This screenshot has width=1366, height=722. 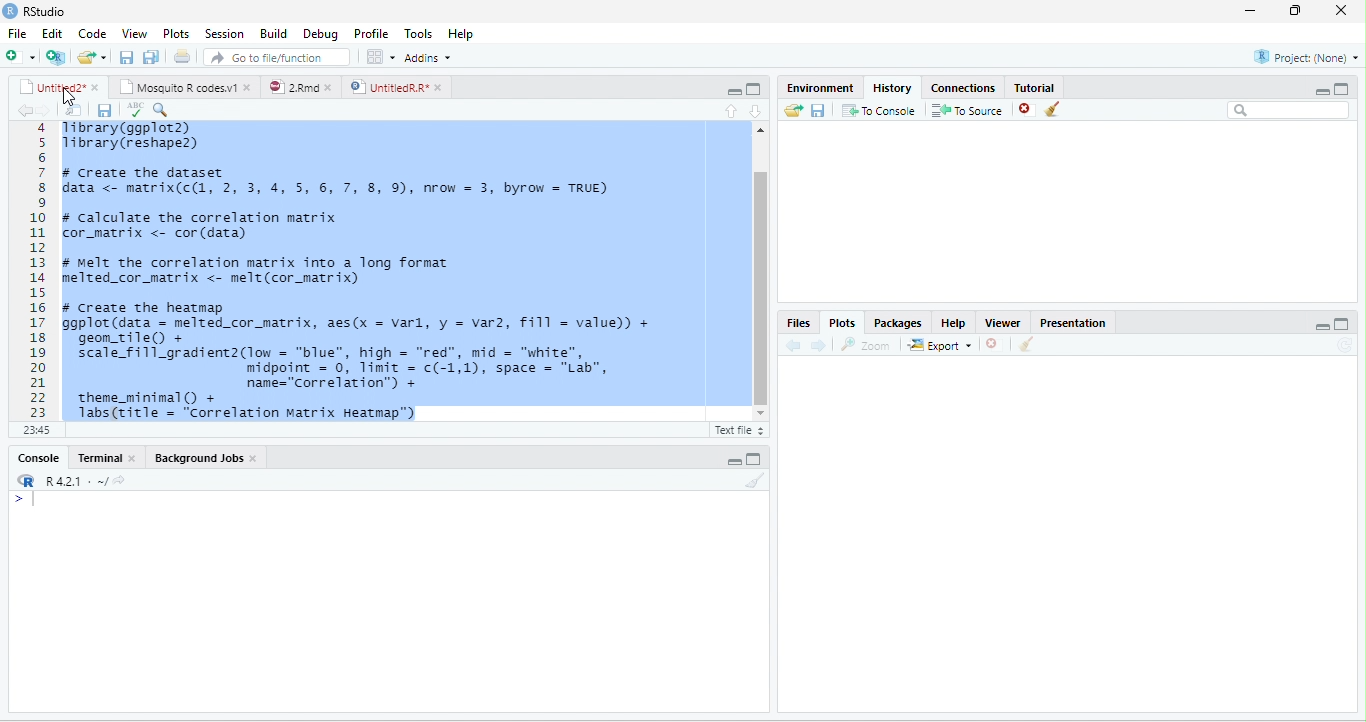 I want to click on save, so click(x=98, y=110).